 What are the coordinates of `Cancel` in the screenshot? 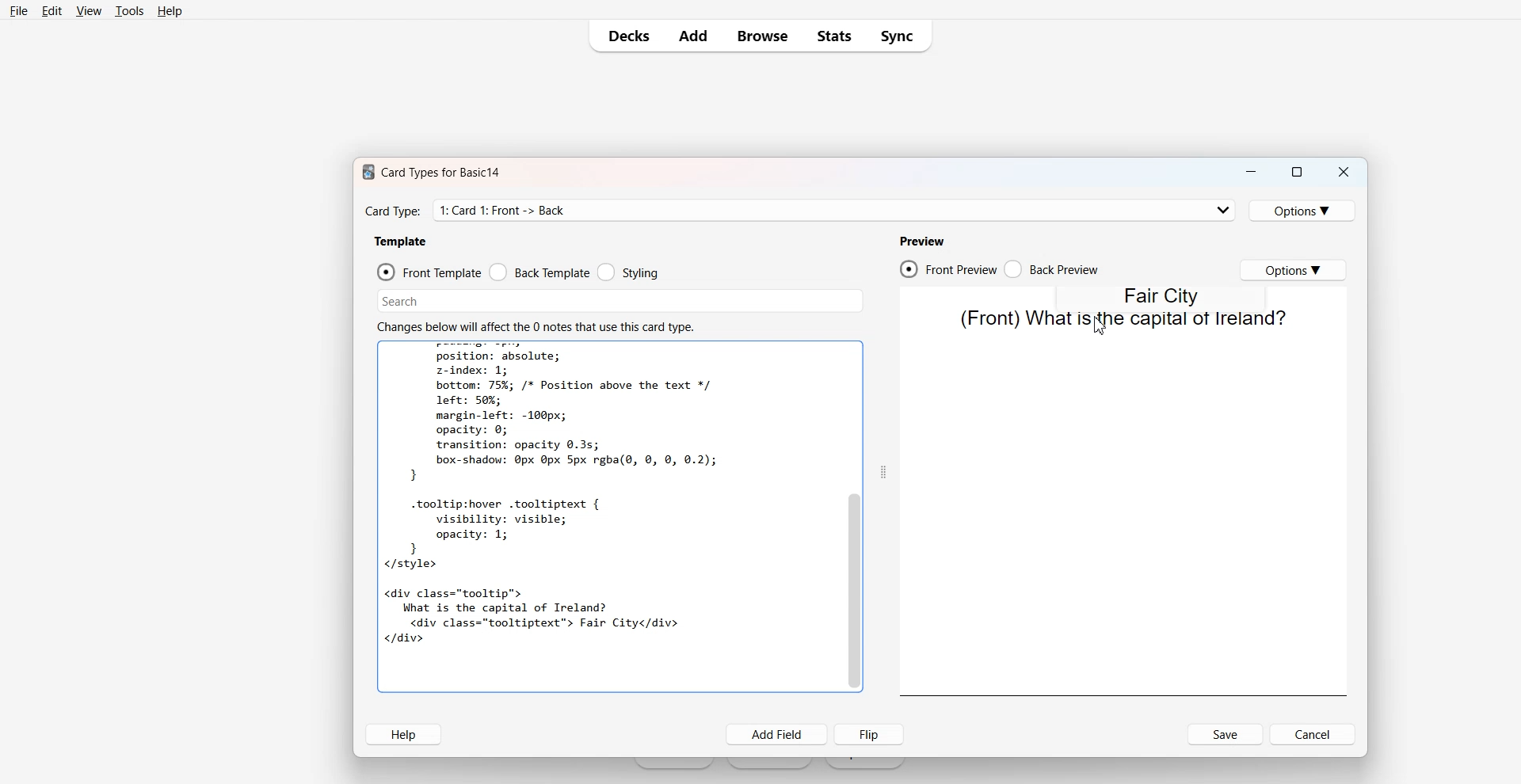 It's located at (1313, 734).